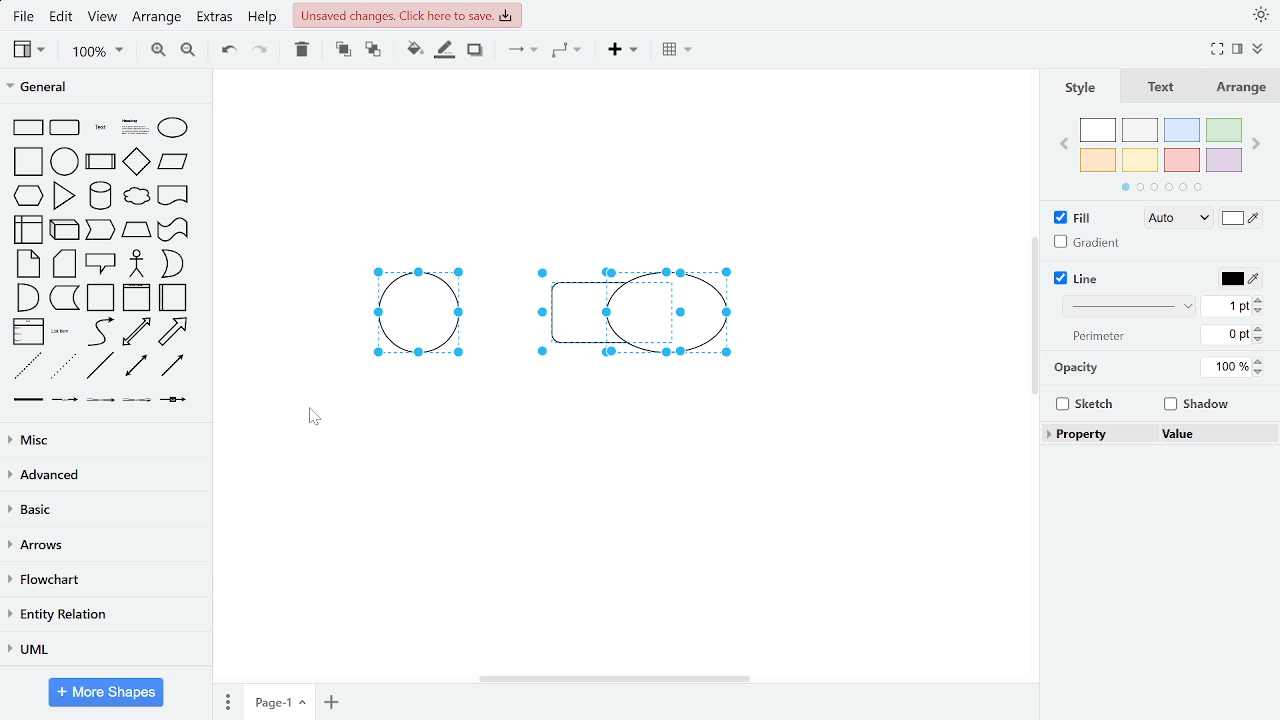 The height and width of the screenshot is (720, 1280). Describe the element at coordinates (1182, 160) in the screenshot. I see `red` at that location.